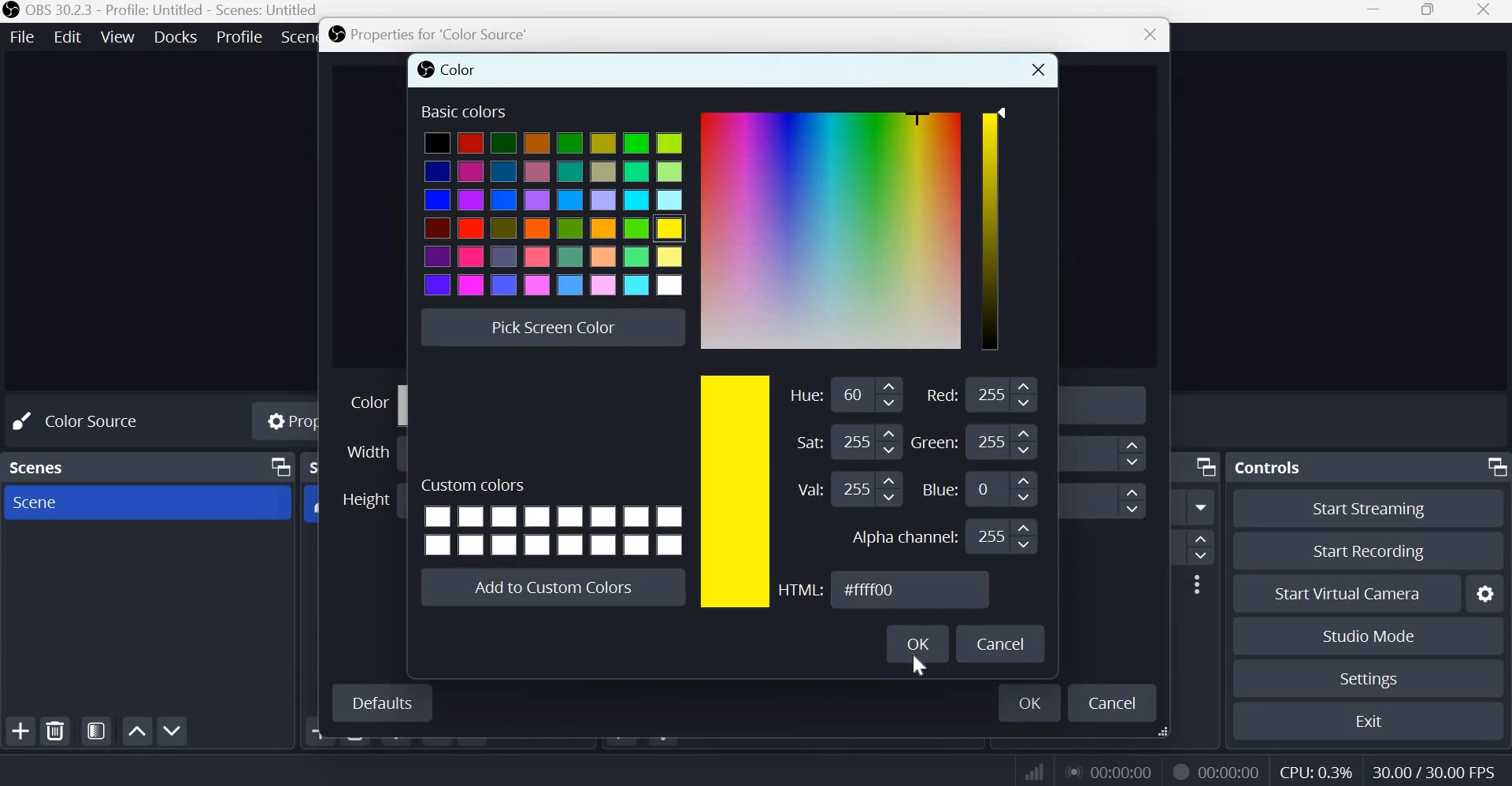 The width and height of the screenshot is (1512, 786). I want to click on chosen color, so click(736, 493).